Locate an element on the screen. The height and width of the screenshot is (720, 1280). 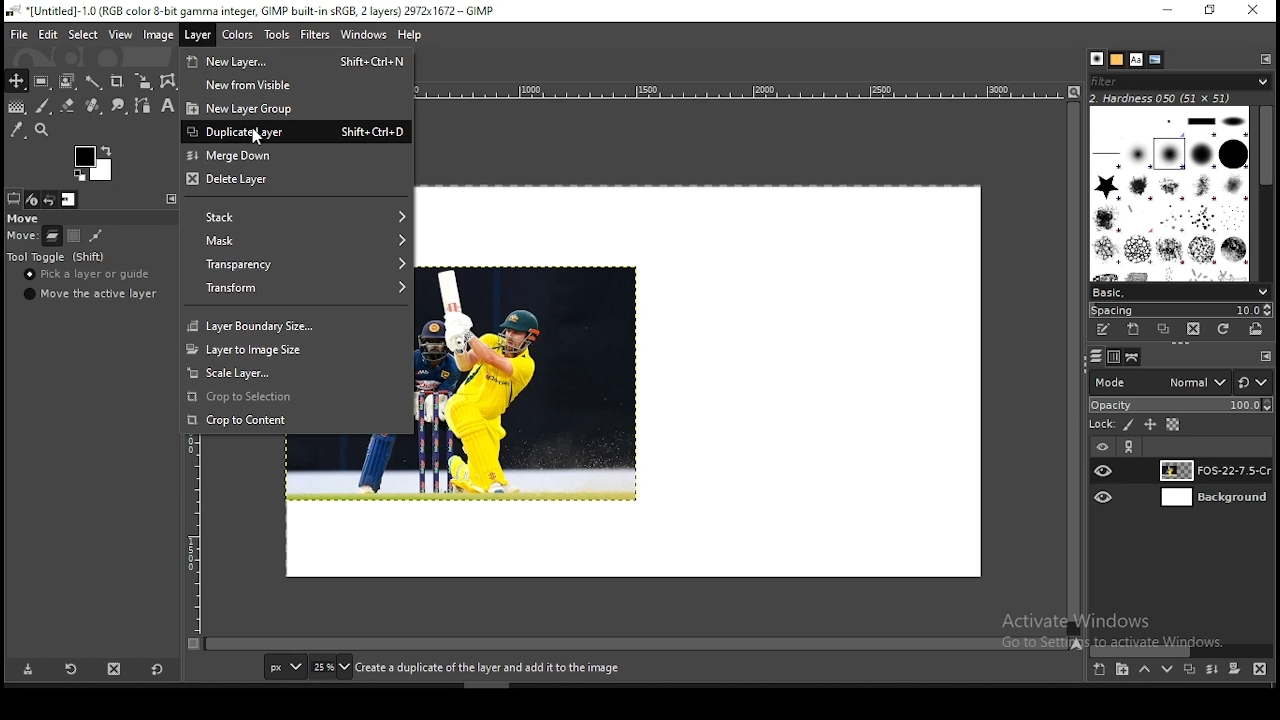
lock alpha channel is located at coordinates (1172, 425).